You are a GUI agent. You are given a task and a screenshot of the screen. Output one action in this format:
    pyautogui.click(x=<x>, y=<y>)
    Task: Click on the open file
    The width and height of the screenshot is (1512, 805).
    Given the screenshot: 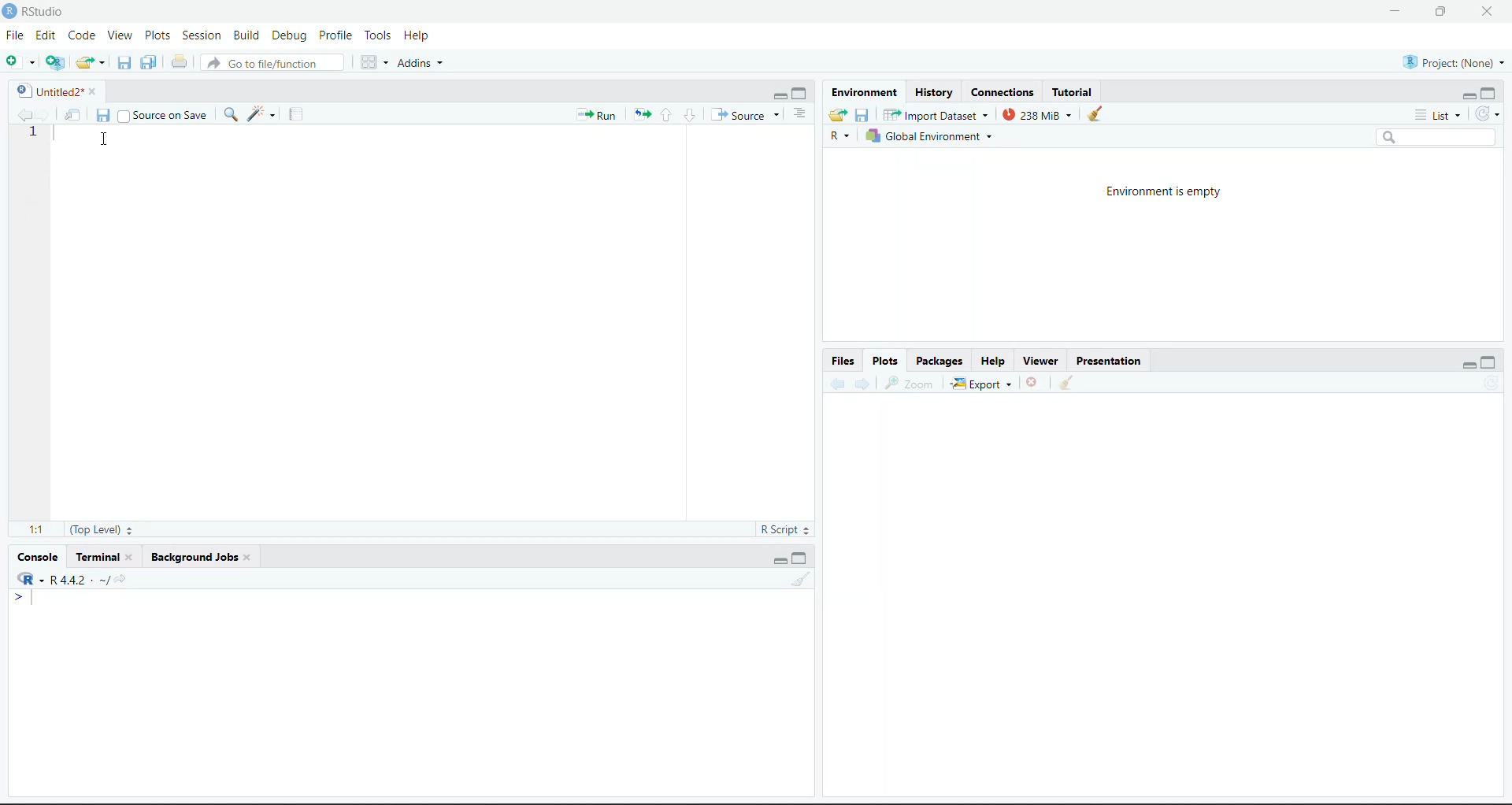 What is the action you would take?
    pyautogui.click(x=91, y=63)
    